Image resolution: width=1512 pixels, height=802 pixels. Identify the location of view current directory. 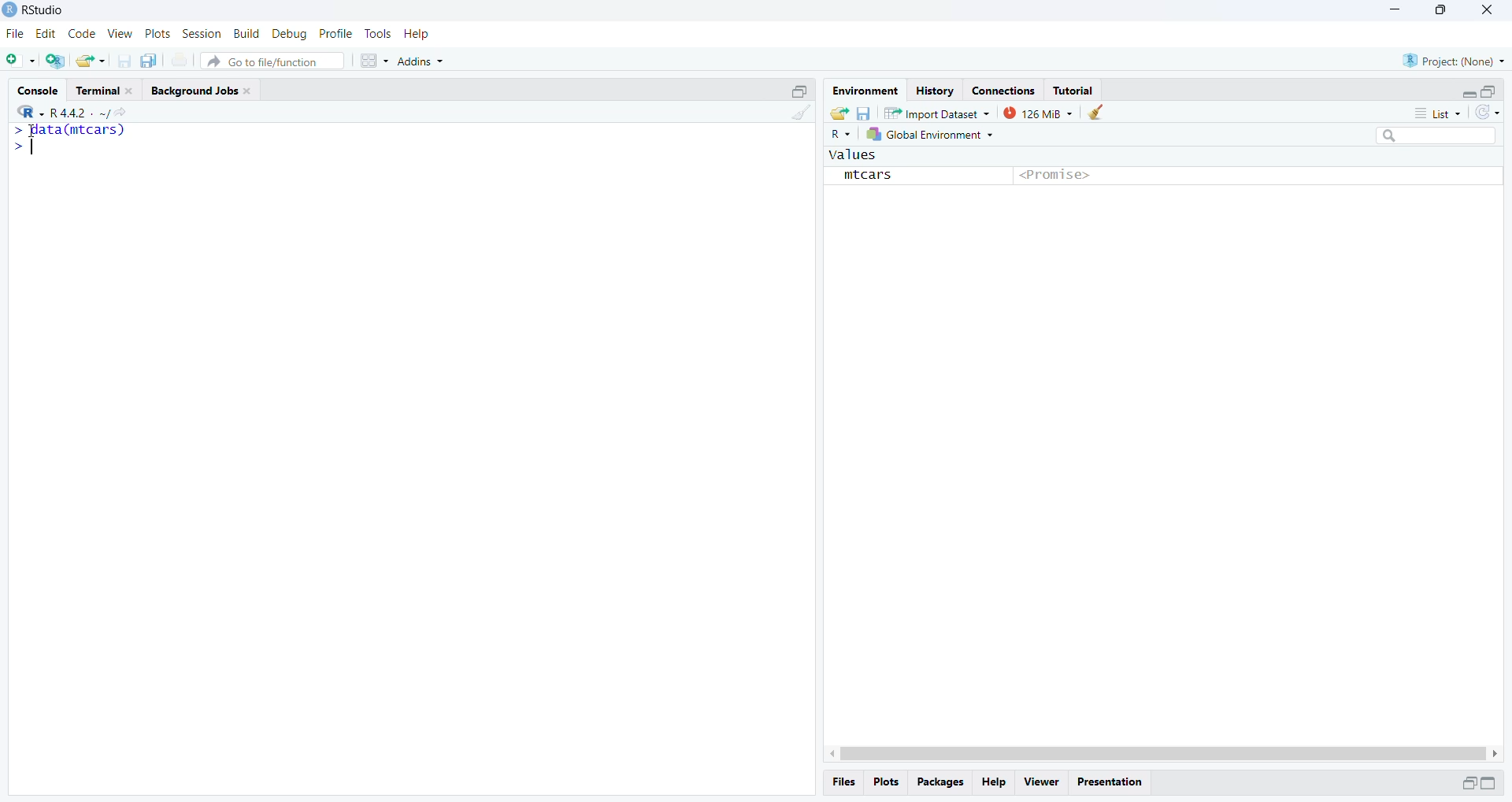
(113, 113).